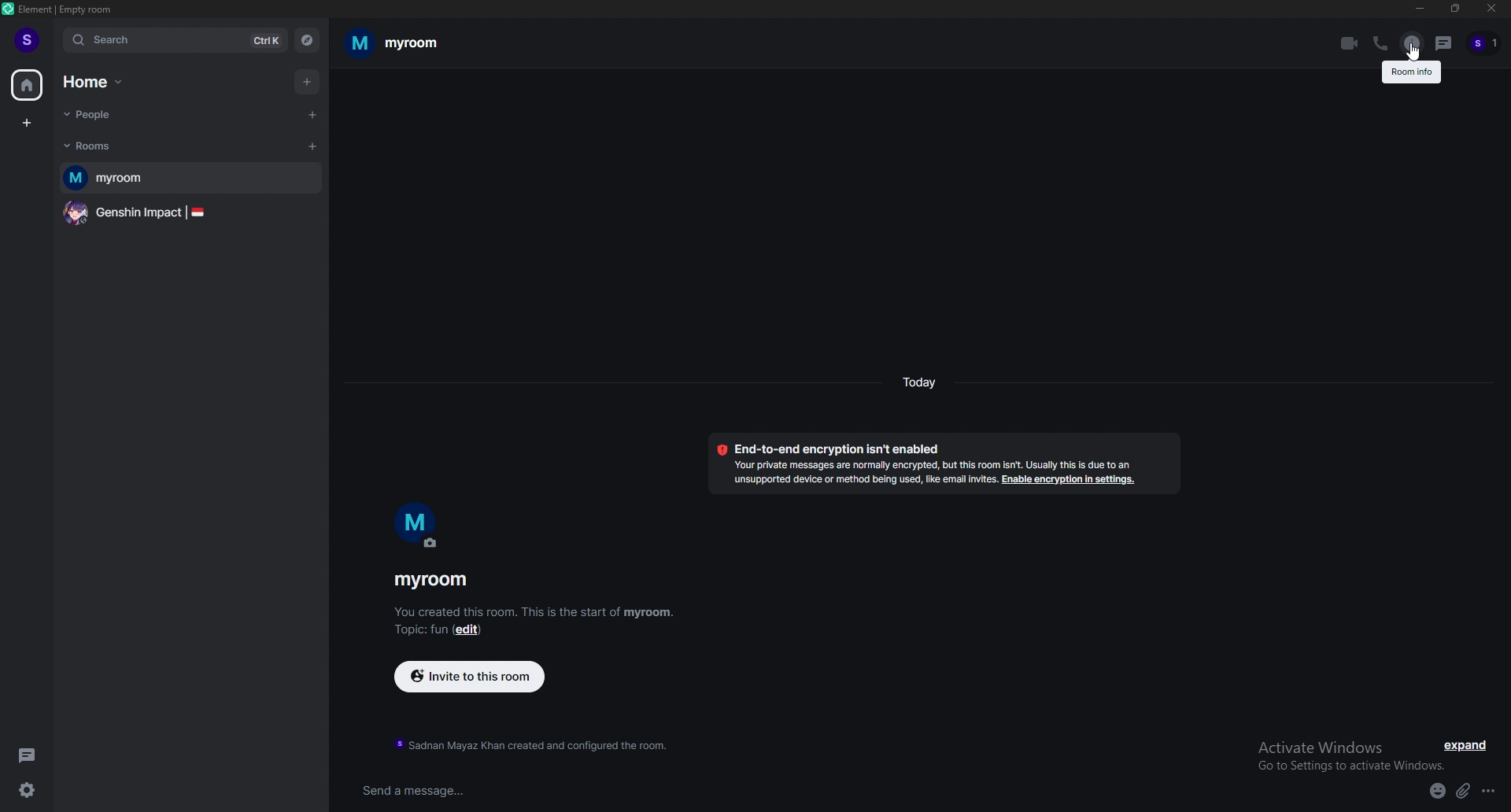 The image size is (1511, 812). I want to click on minimize, so click(1421, 10).